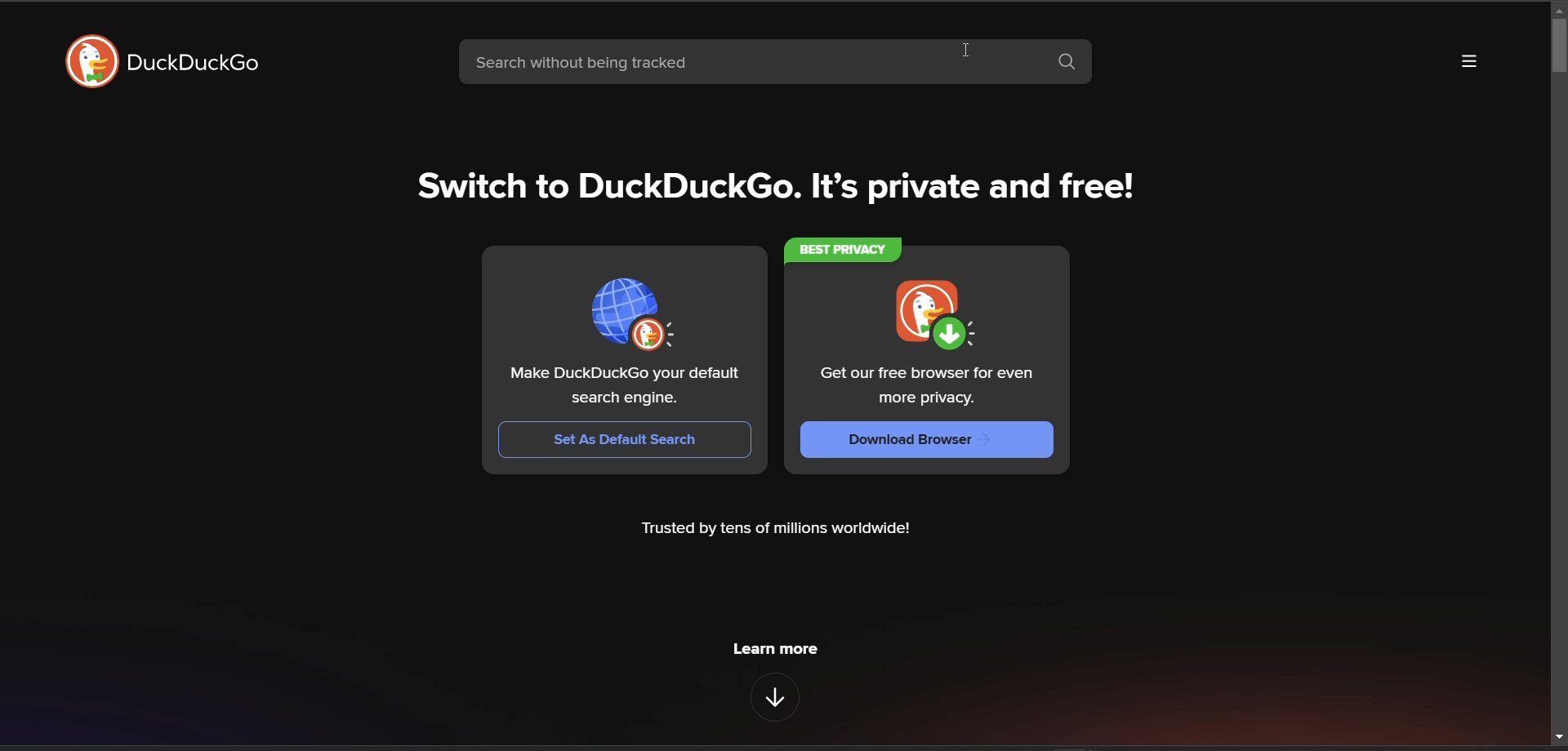  What do you see at coordinates (625, 440) in the screenshot?
I see `Set As Default Search` at bounding box center [625, 440].